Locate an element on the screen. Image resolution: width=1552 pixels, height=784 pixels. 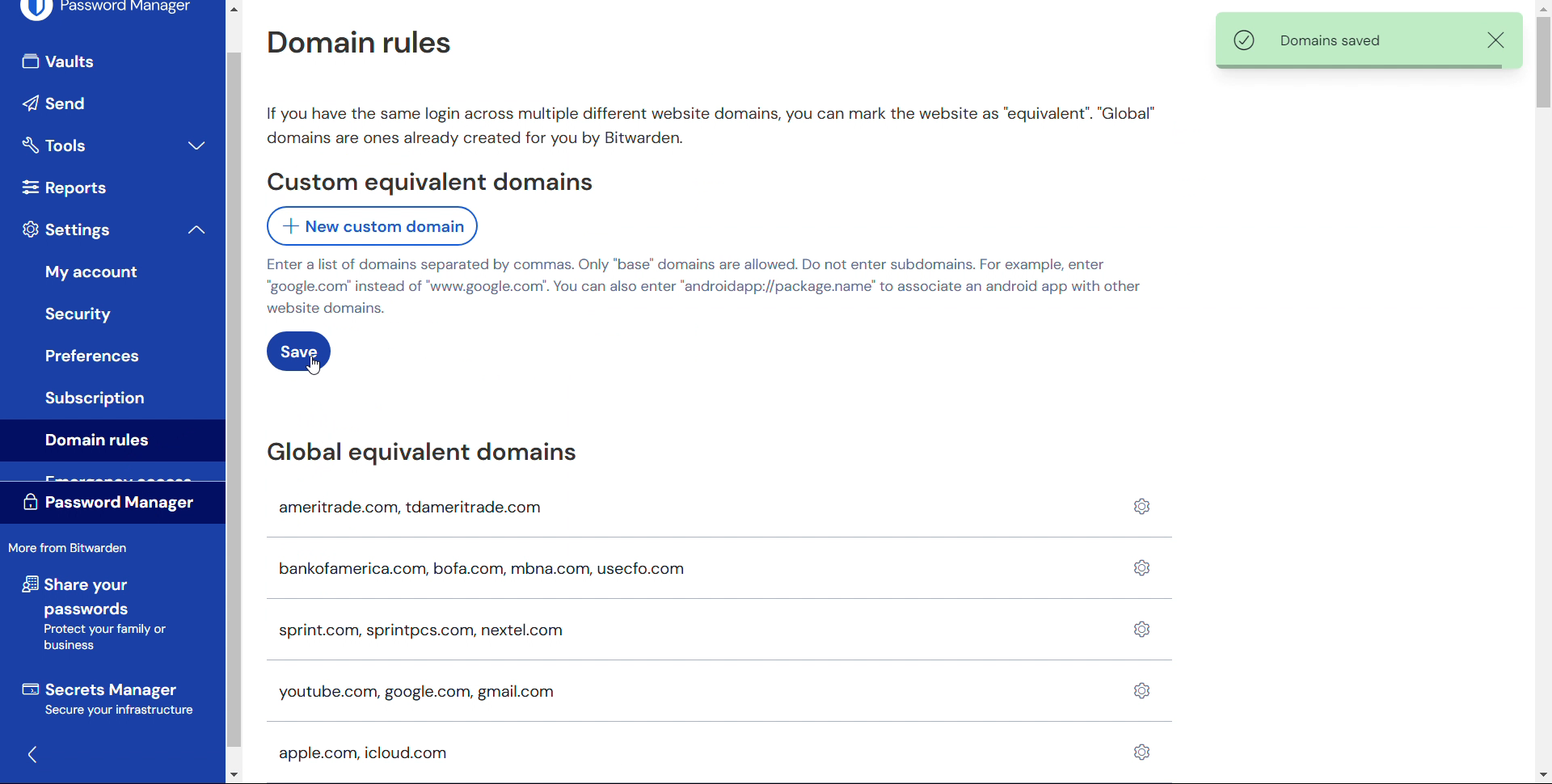
certical scrollbar is located at coordinates (1542, 61).